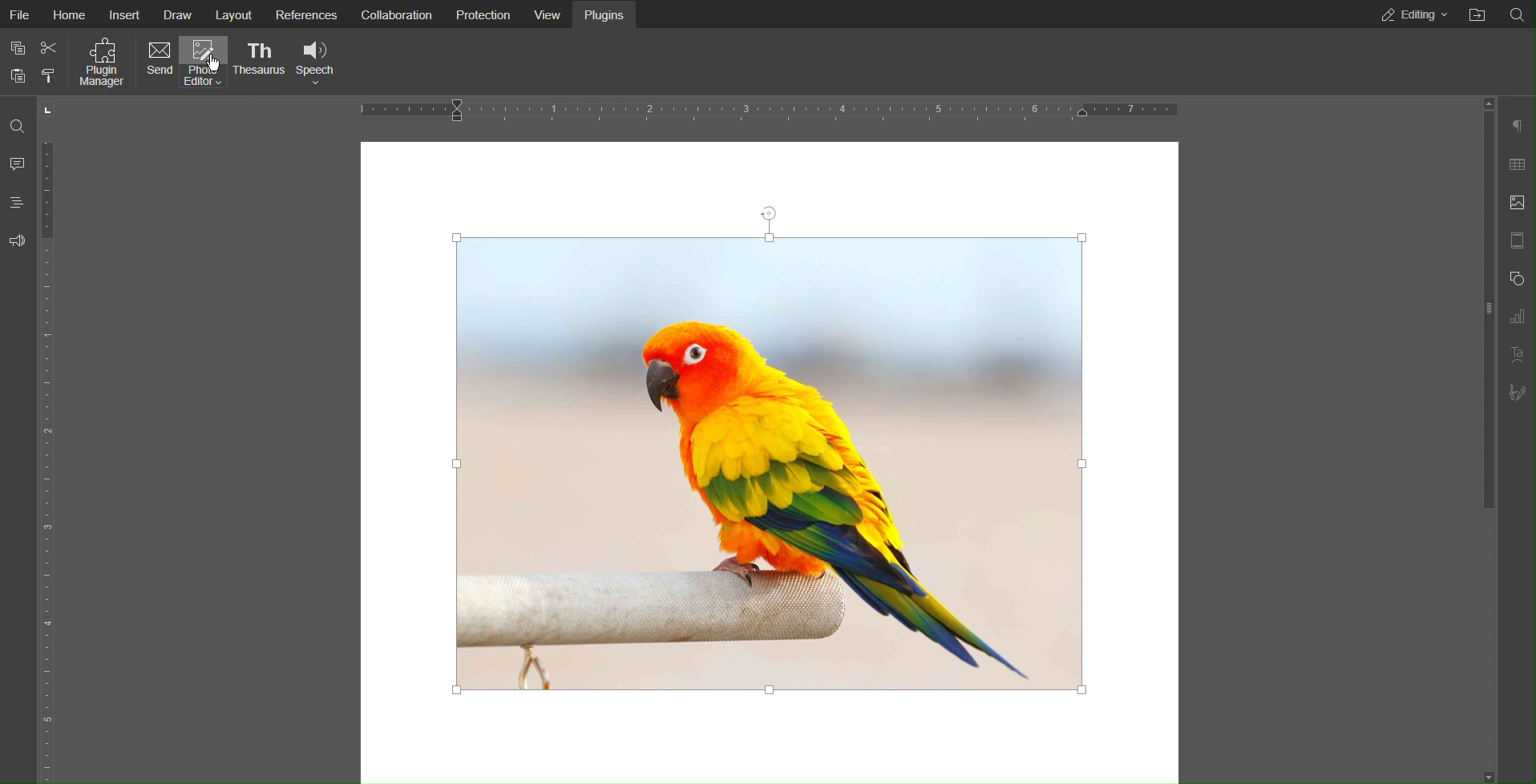  What do you see at coordinates (208, 63) in the screenshot?
I see `Photo Editor` at bounding box center [208, 63].